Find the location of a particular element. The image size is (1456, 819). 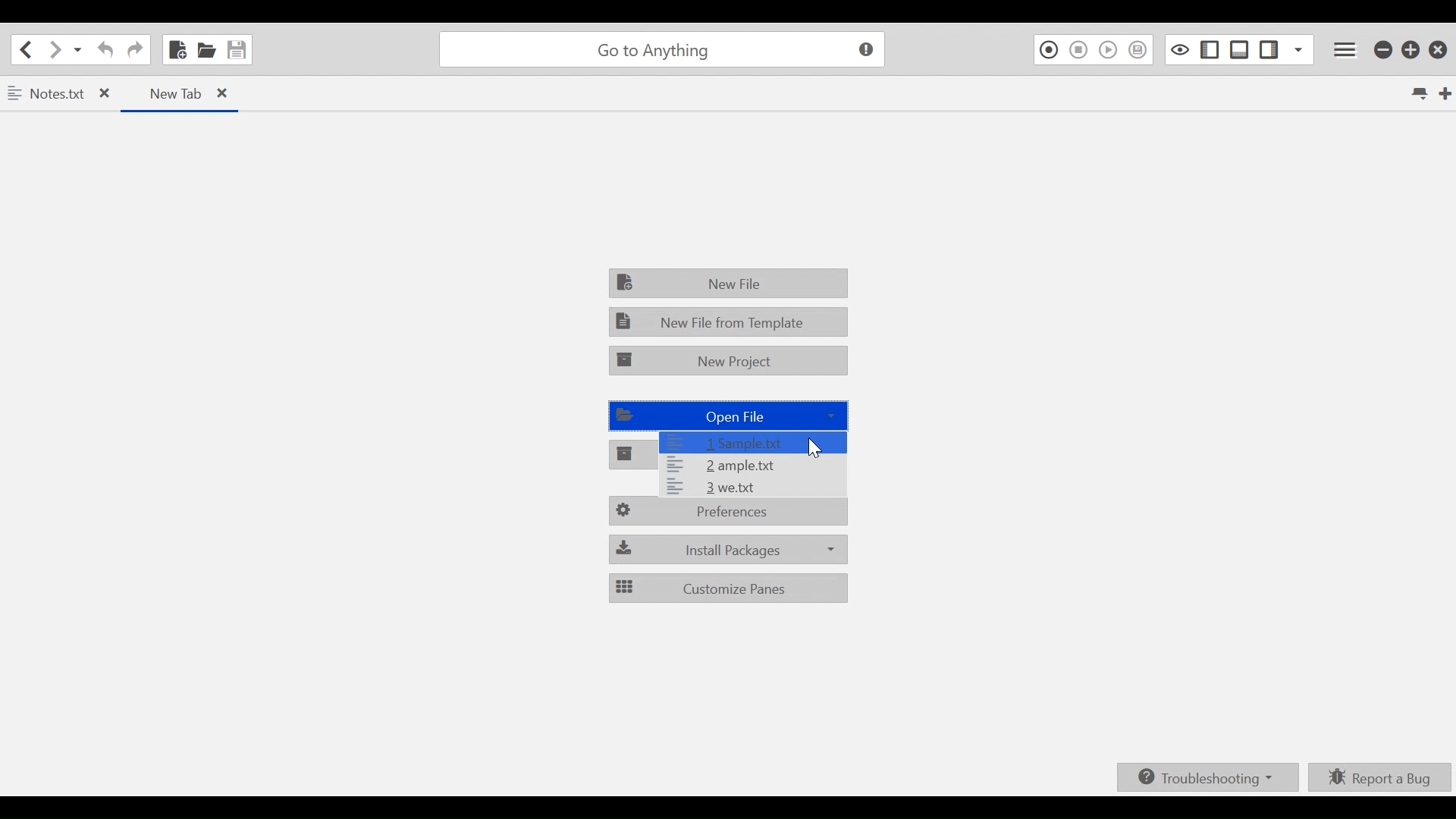

New Tab is located at coordinates (178, 93).